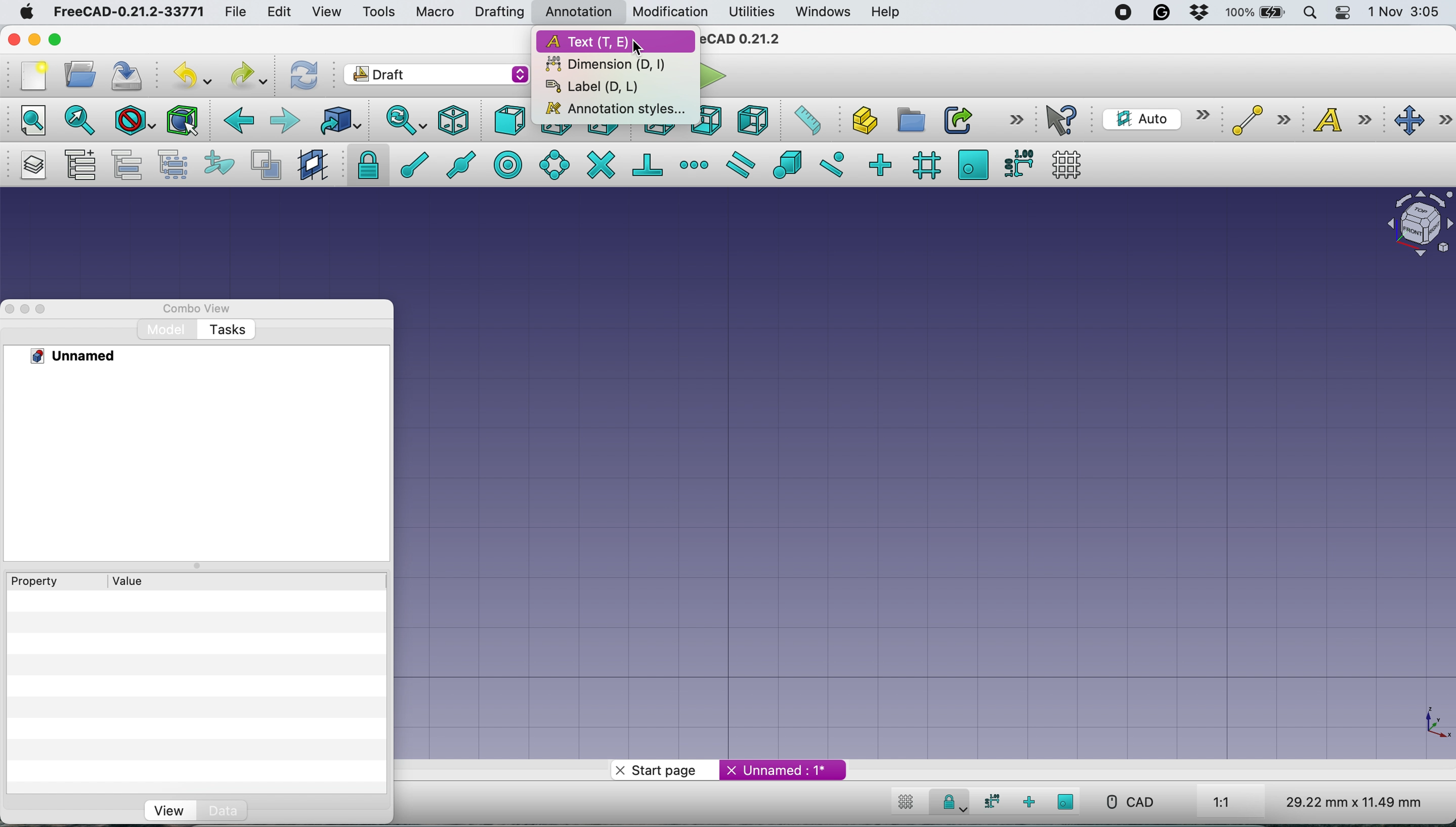 Image resolution: width=1456 pixels, height=827 pixels. What do you see at coordinates (749, 119) in the screenshot?
I see `left` at bounding box center [749, 119].